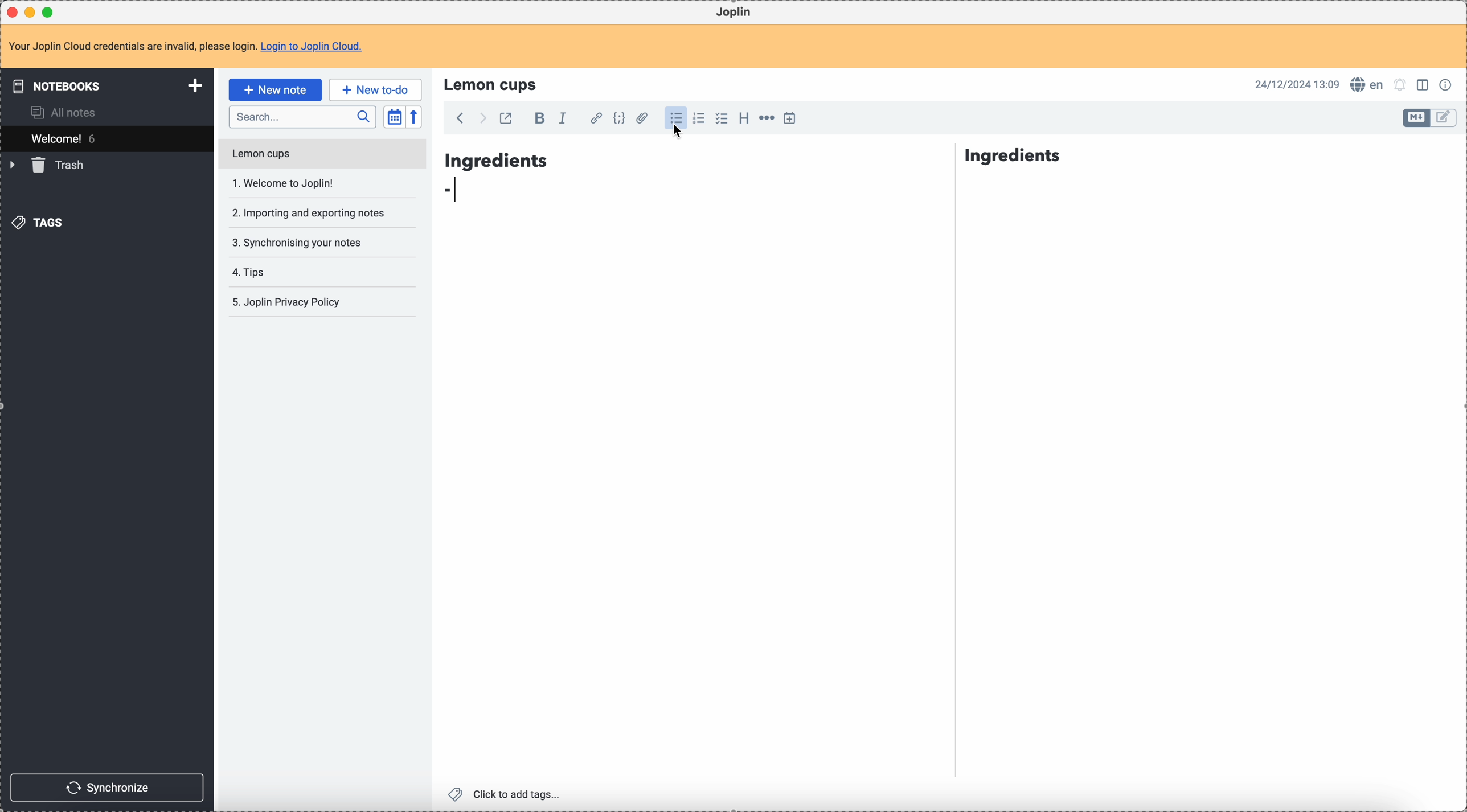 The width and height of the screenshot is (1467, 812). What do you see at coordinates (789, 118) in the screenshot?
I see `insert time` at bounding box center [789, 118].